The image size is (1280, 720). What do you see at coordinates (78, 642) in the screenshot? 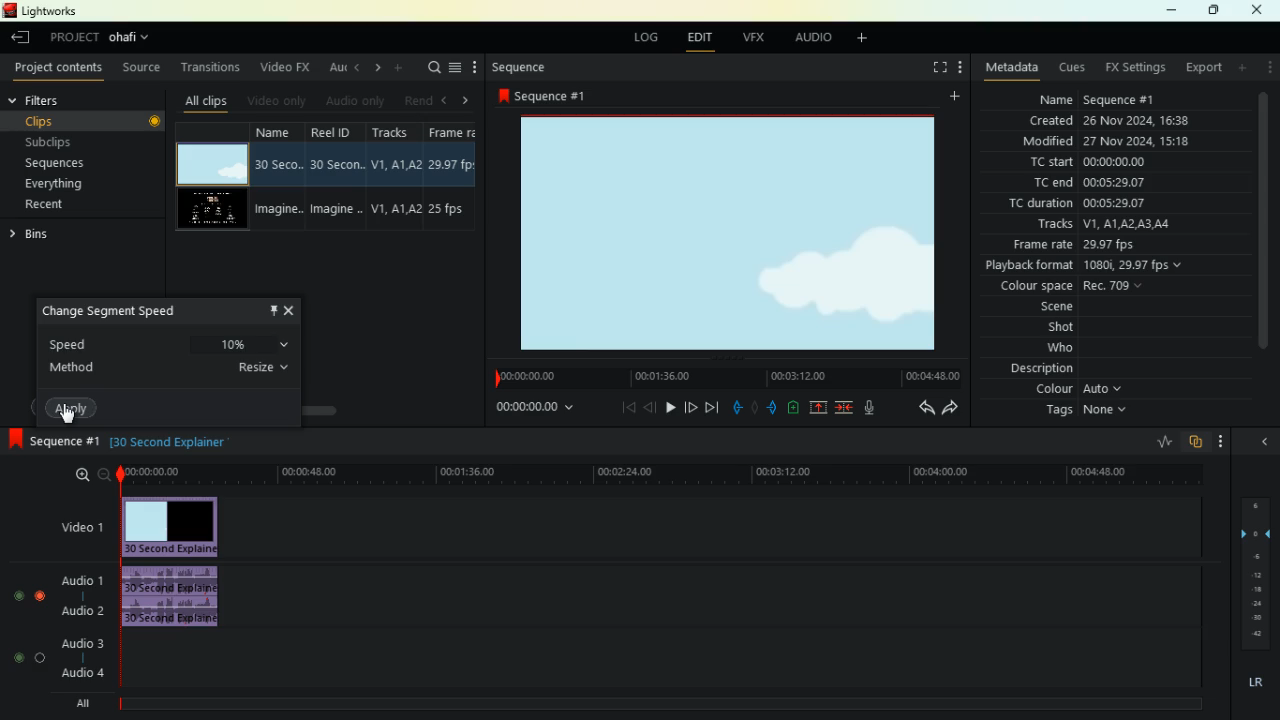
I see `audio3` at bounding box center [78, 642].